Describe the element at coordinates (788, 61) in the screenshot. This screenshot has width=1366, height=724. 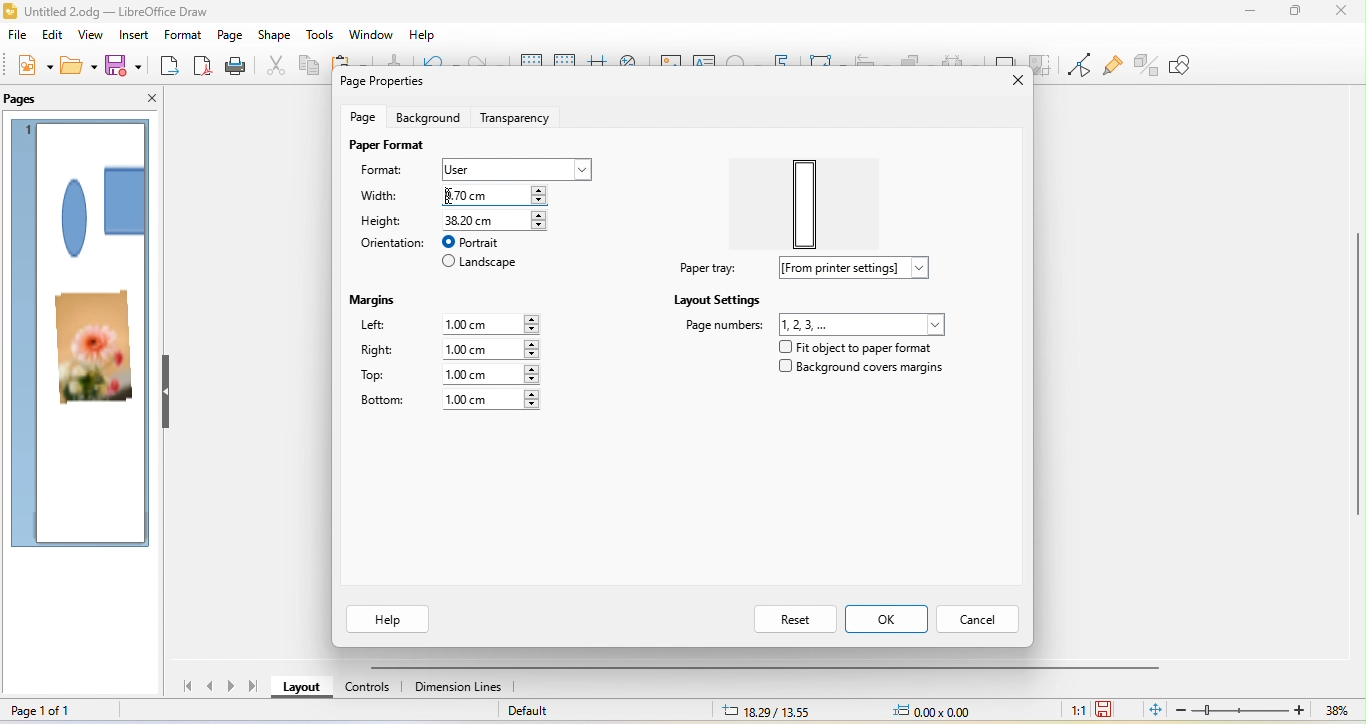
I see `fontwork text` at that location.